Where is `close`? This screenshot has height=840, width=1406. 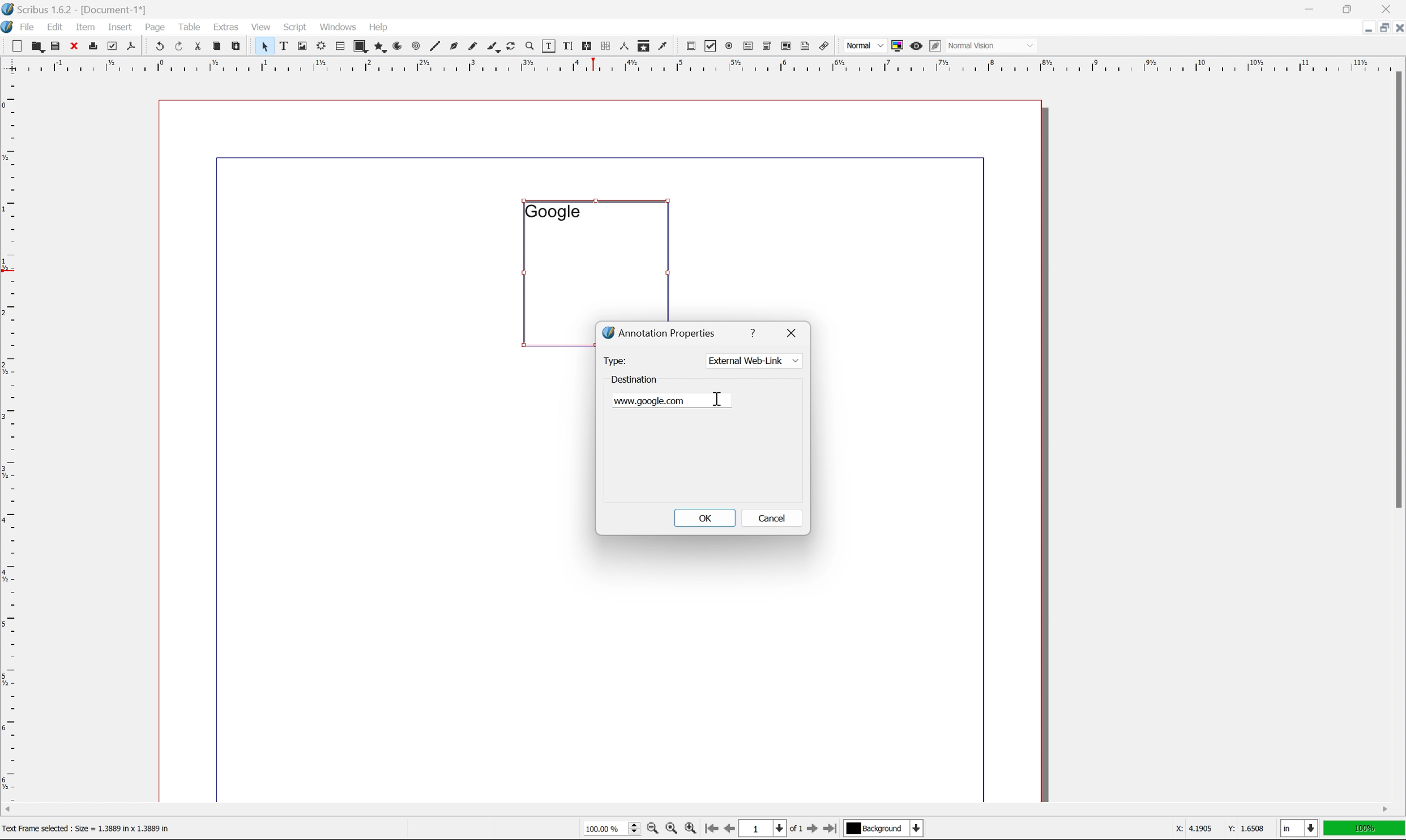 close is located at coordinates (75, 45).